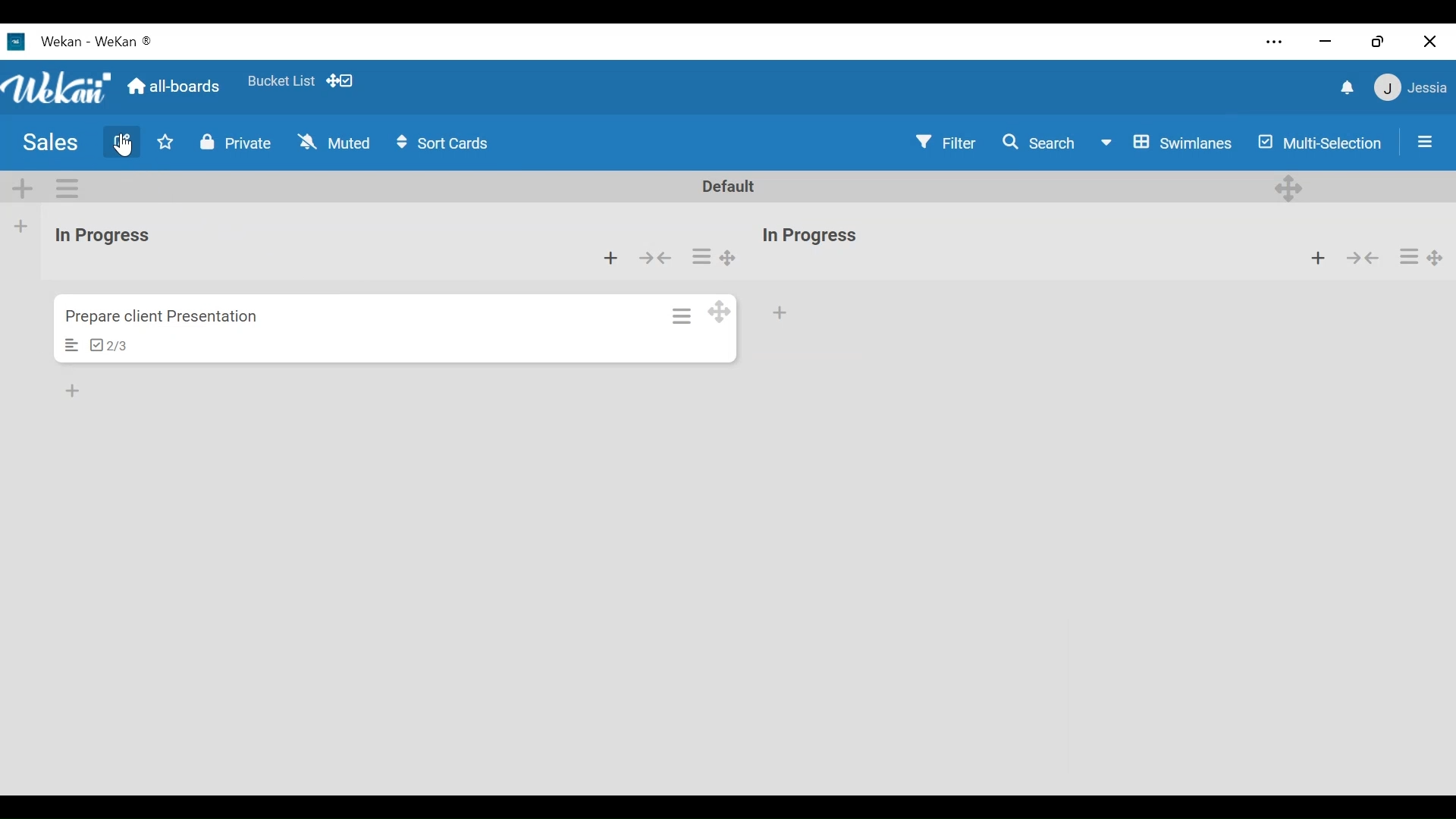  Describe the element at coordinates (281, 82) in the screenshot. I see `Favorite` at that location.